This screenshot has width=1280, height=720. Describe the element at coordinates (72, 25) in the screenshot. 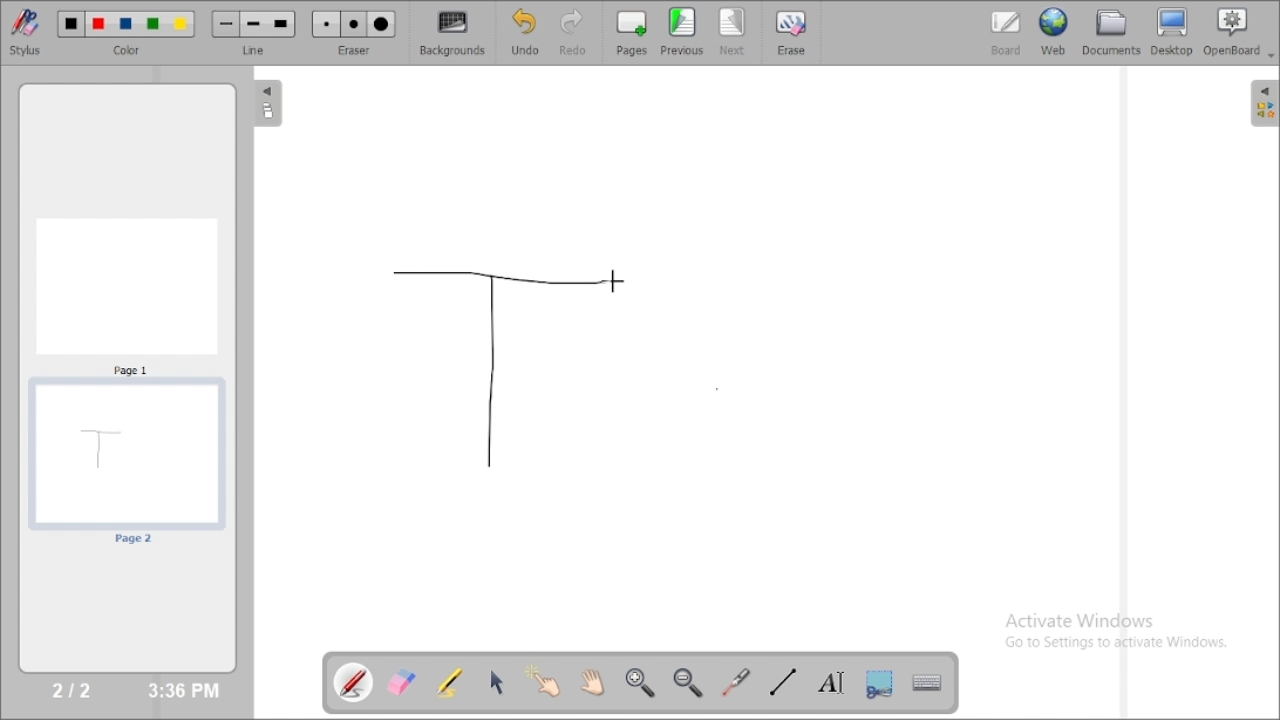

I see `Color 1` at that location.